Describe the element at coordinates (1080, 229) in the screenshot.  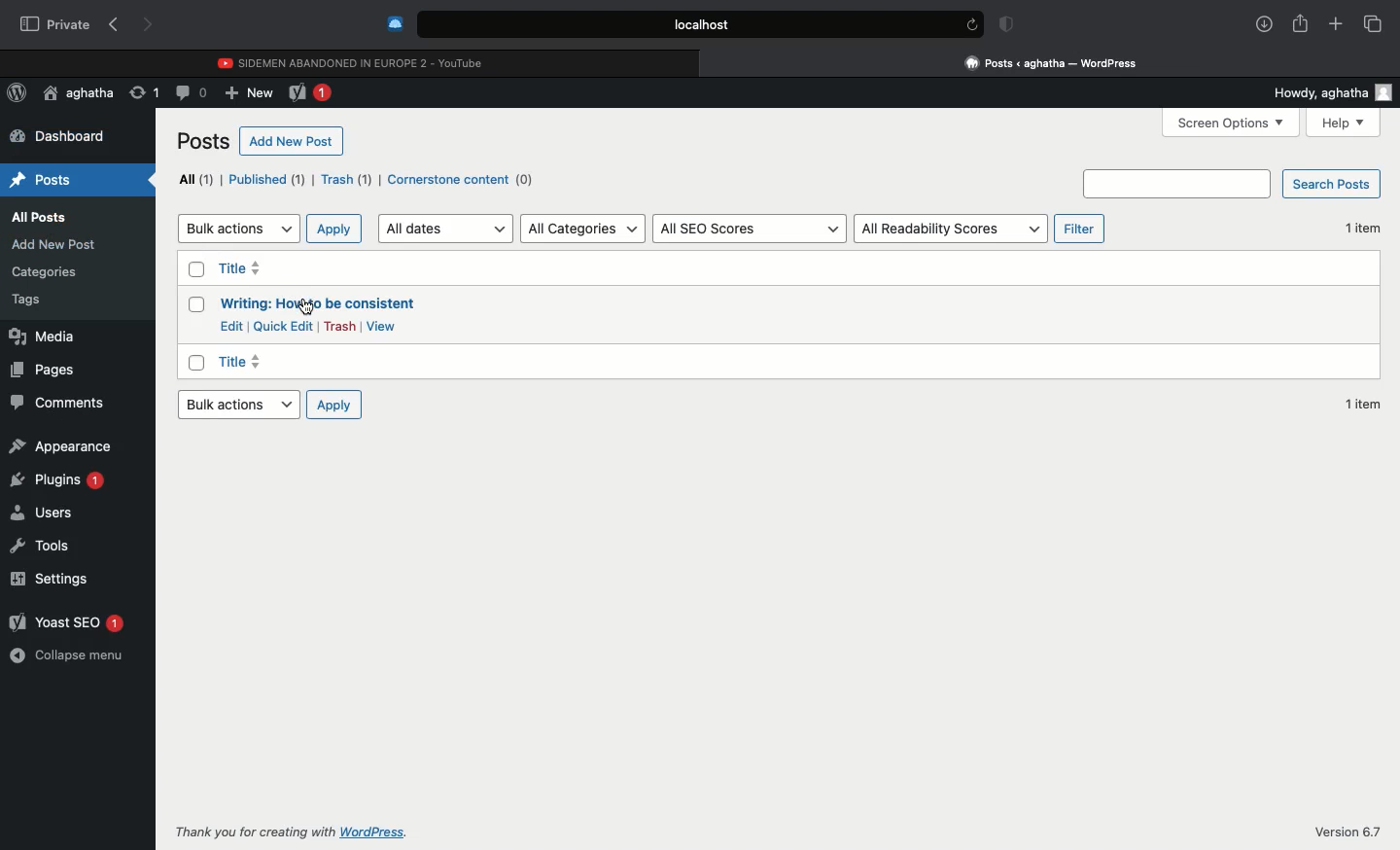
I see `Filter` at that location.